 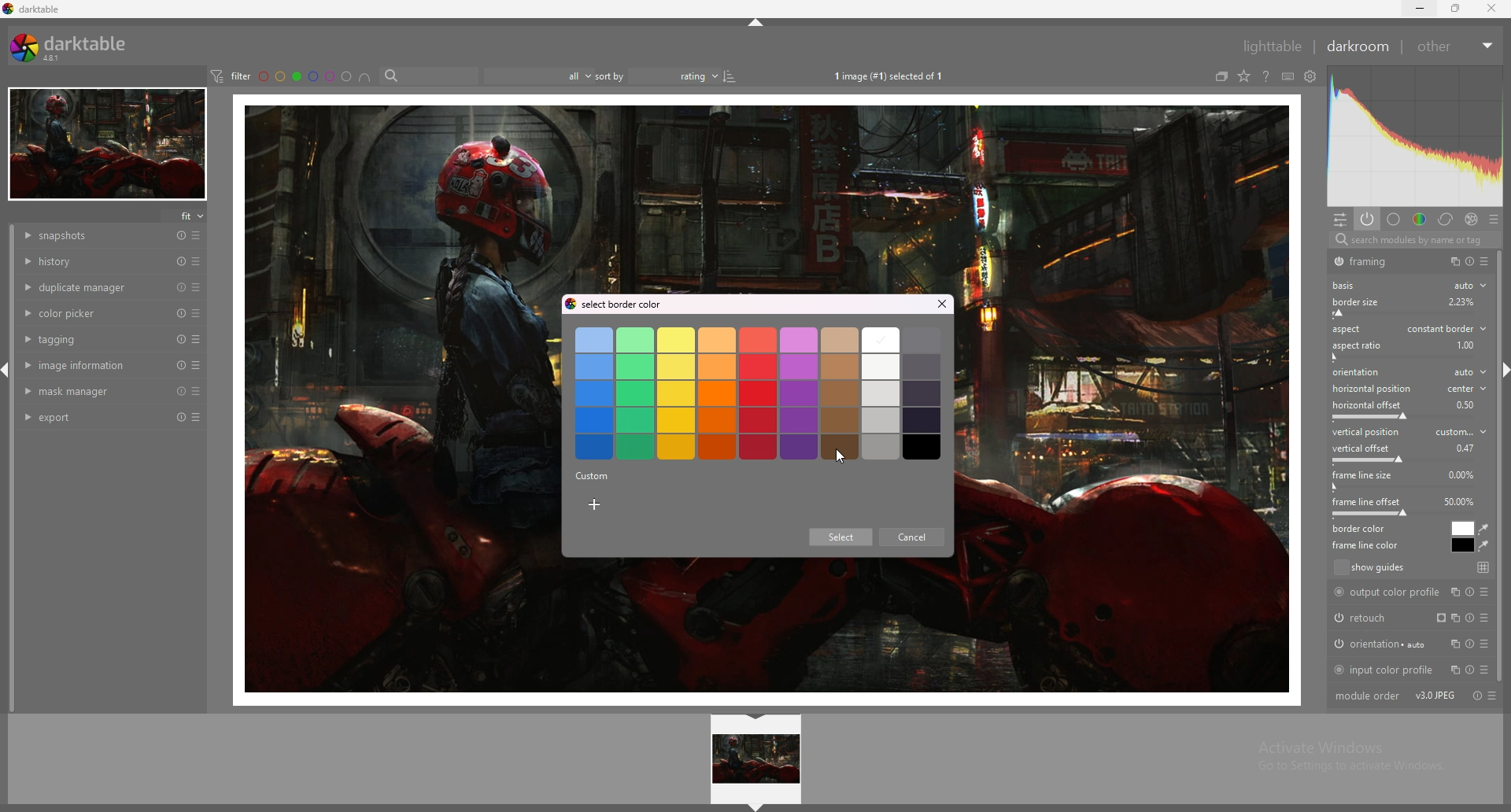 What do you see at coordinates (1469, 286) in the screenshot?
I see `auto` at bounding box center [1469, 286].